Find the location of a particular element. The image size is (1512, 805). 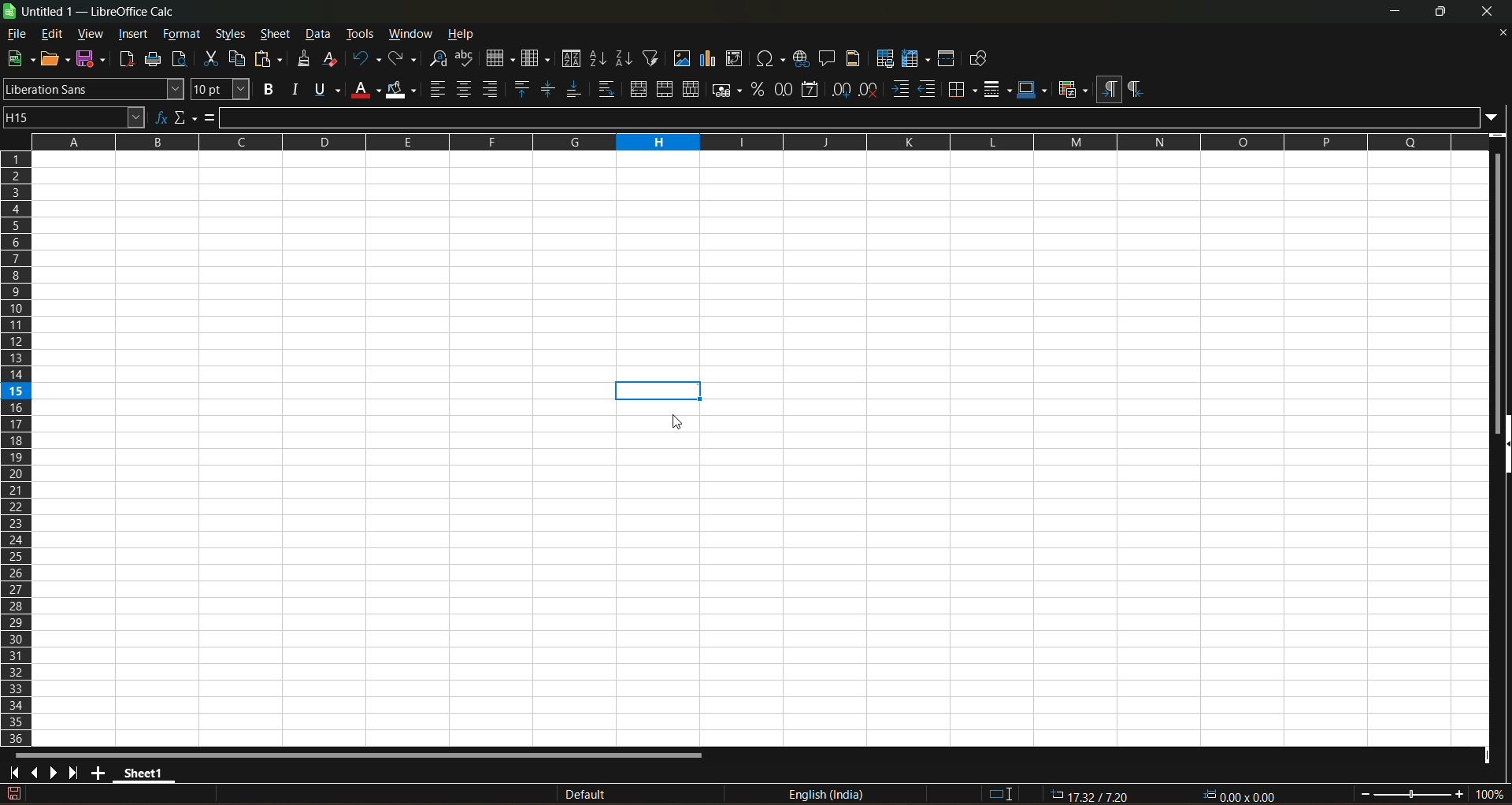

insert image is located at coordinates (682, 58).